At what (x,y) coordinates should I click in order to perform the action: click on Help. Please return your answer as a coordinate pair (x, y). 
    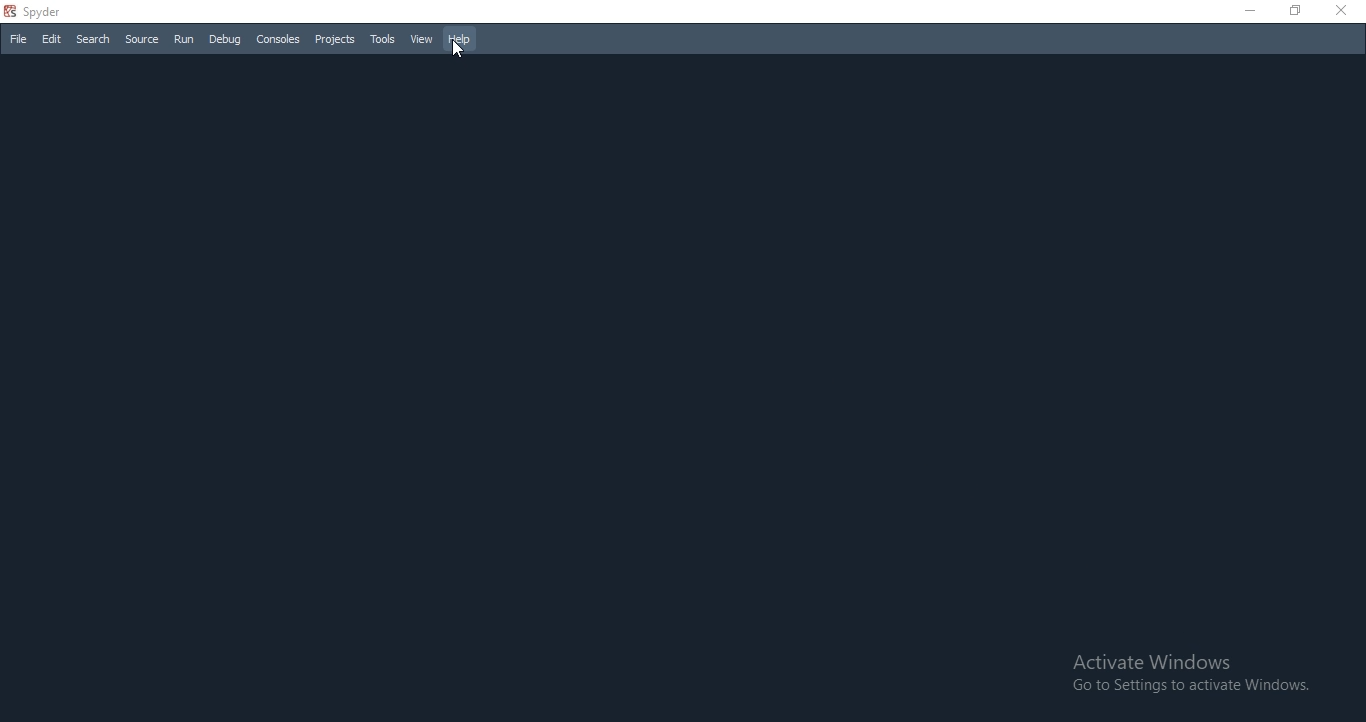
    Looking at the image, I should click on (460, 40).